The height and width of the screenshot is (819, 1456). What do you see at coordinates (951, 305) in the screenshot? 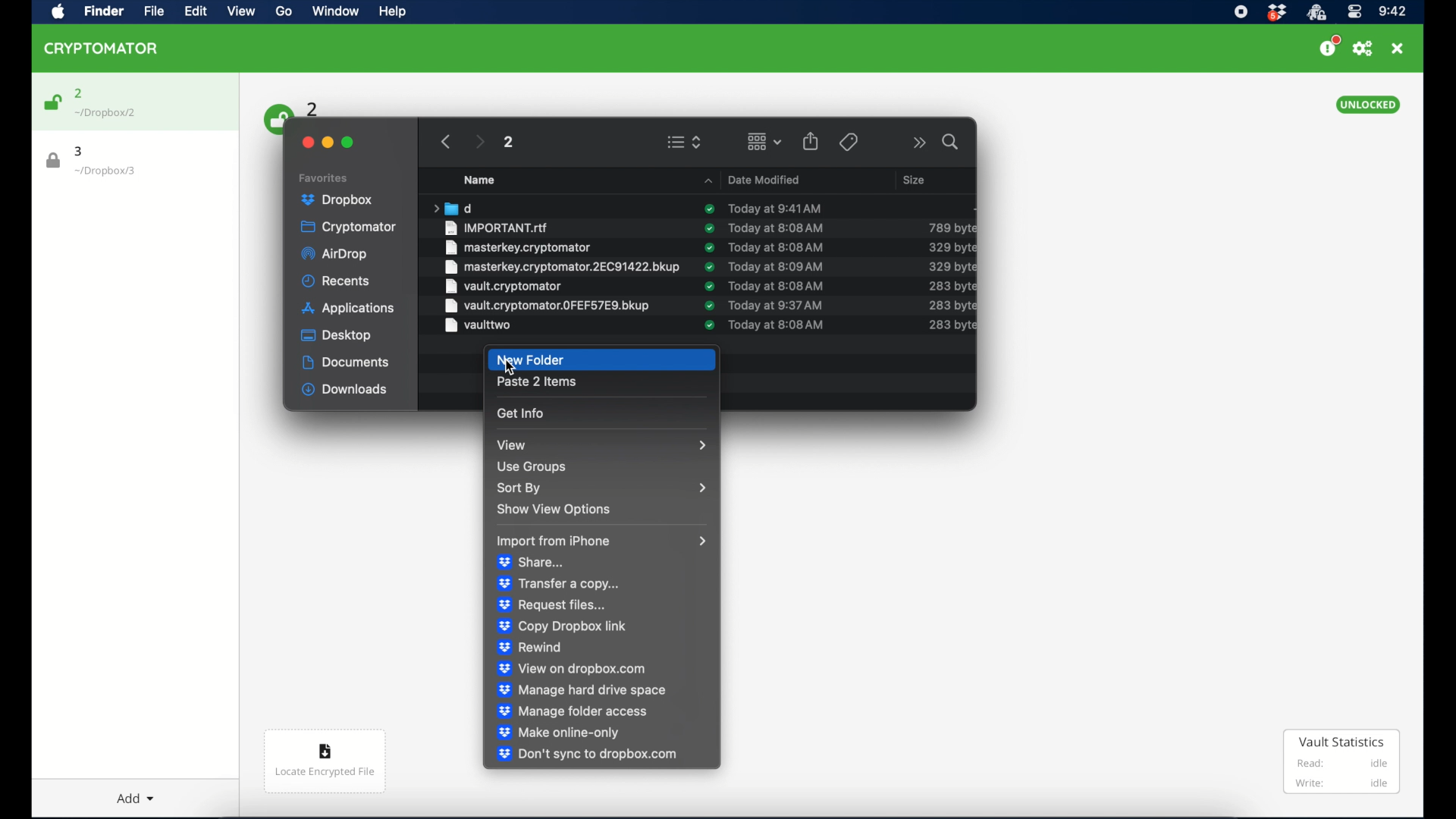
I see `size` at bounding box center [951, 305].